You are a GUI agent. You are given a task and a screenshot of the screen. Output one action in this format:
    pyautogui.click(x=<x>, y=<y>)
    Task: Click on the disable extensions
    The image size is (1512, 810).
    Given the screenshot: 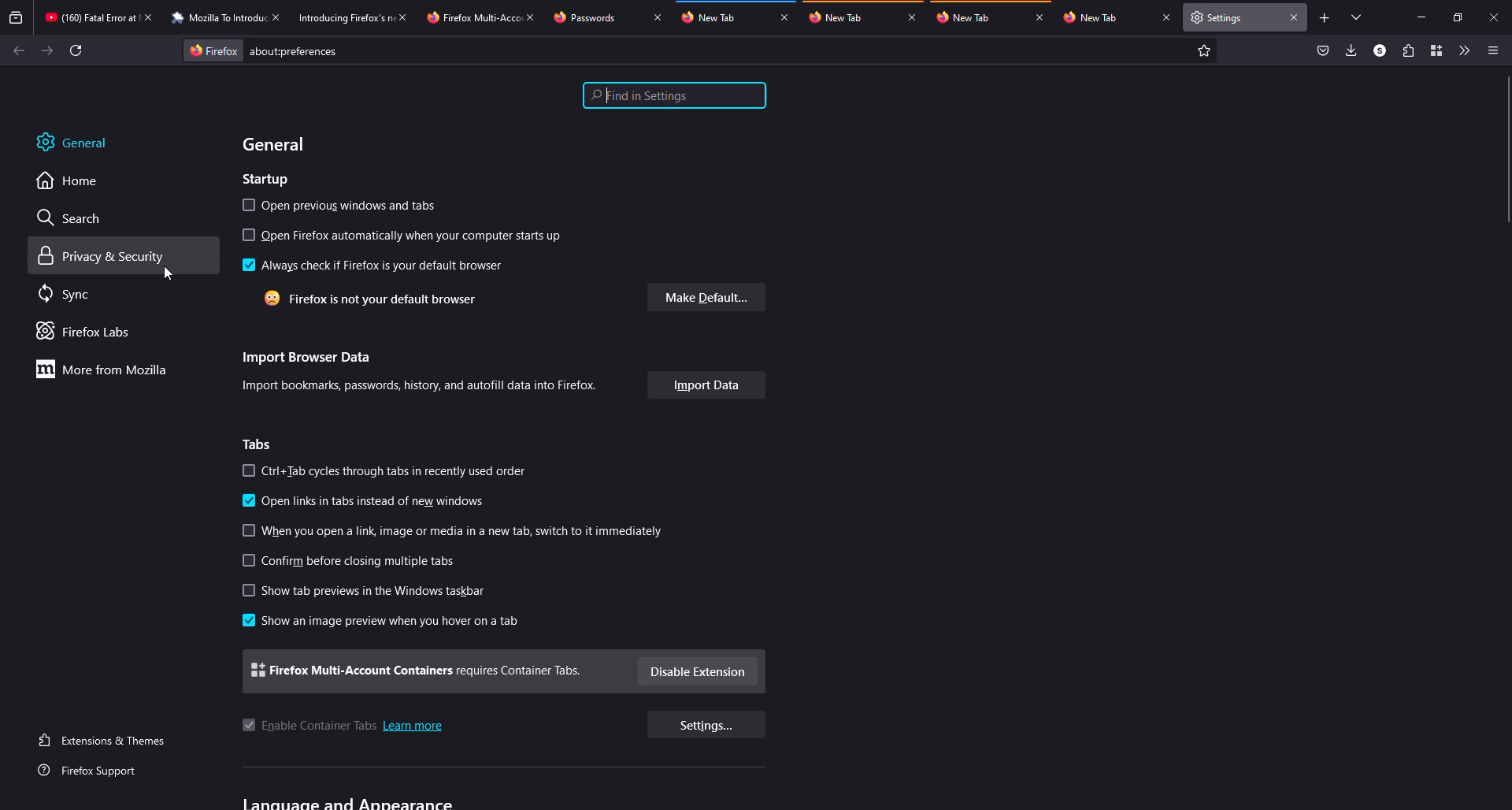 What is the action you would take?
    pyautogui.click(x=699, y=671)
    